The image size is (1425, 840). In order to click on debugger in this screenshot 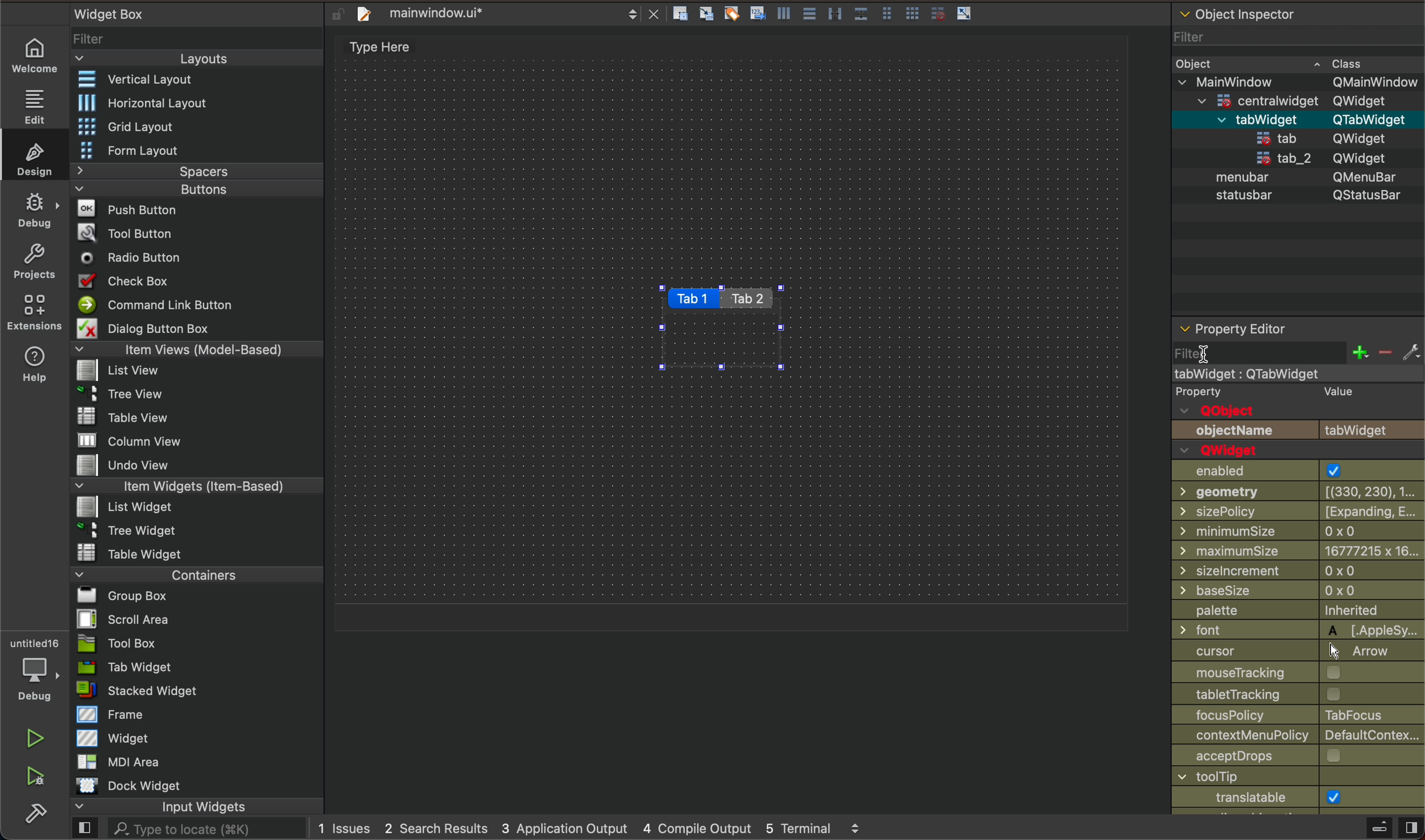, I will do `click(32, 666)`.